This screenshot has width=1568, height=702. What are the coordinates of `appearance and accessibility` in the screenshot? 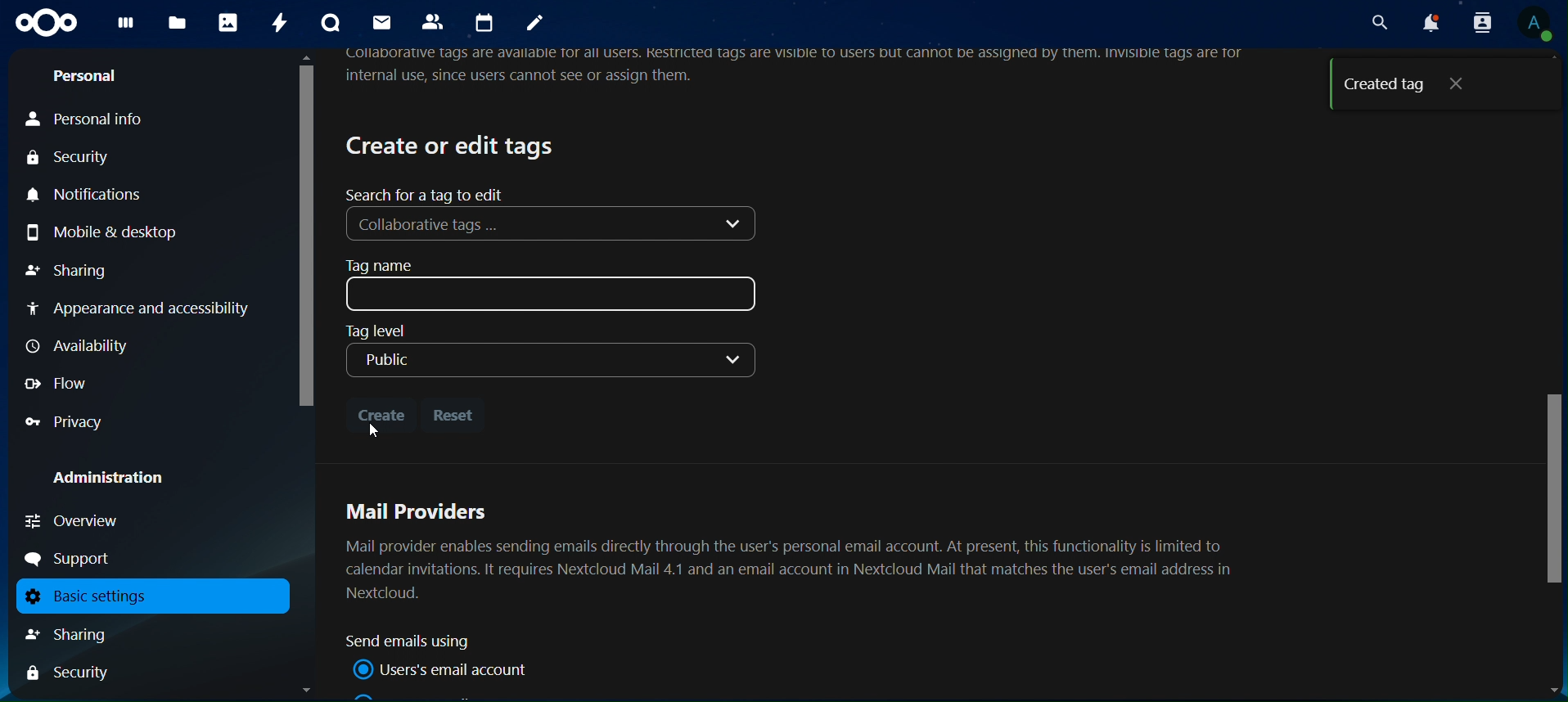 It's located at (141, 311).